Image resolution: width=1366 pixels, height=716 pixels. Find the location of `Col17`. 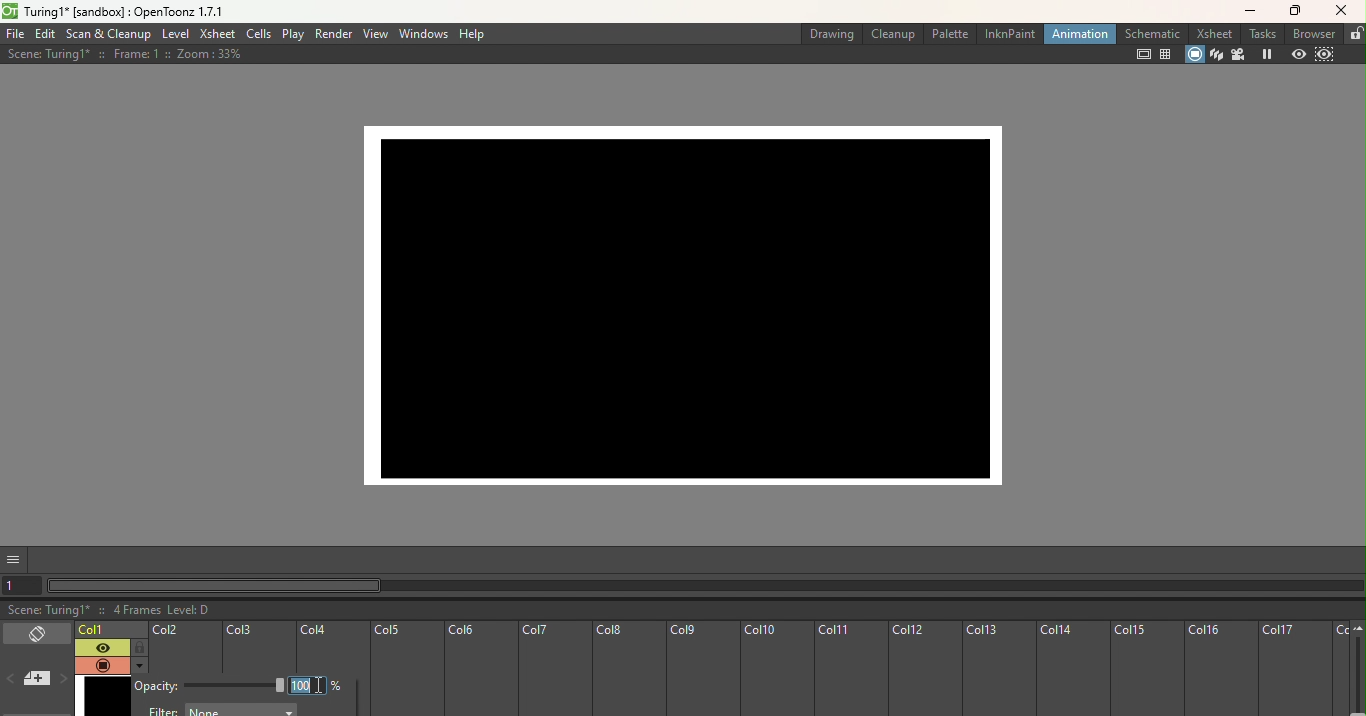

Col17 is located at coordinates (1295, 669).